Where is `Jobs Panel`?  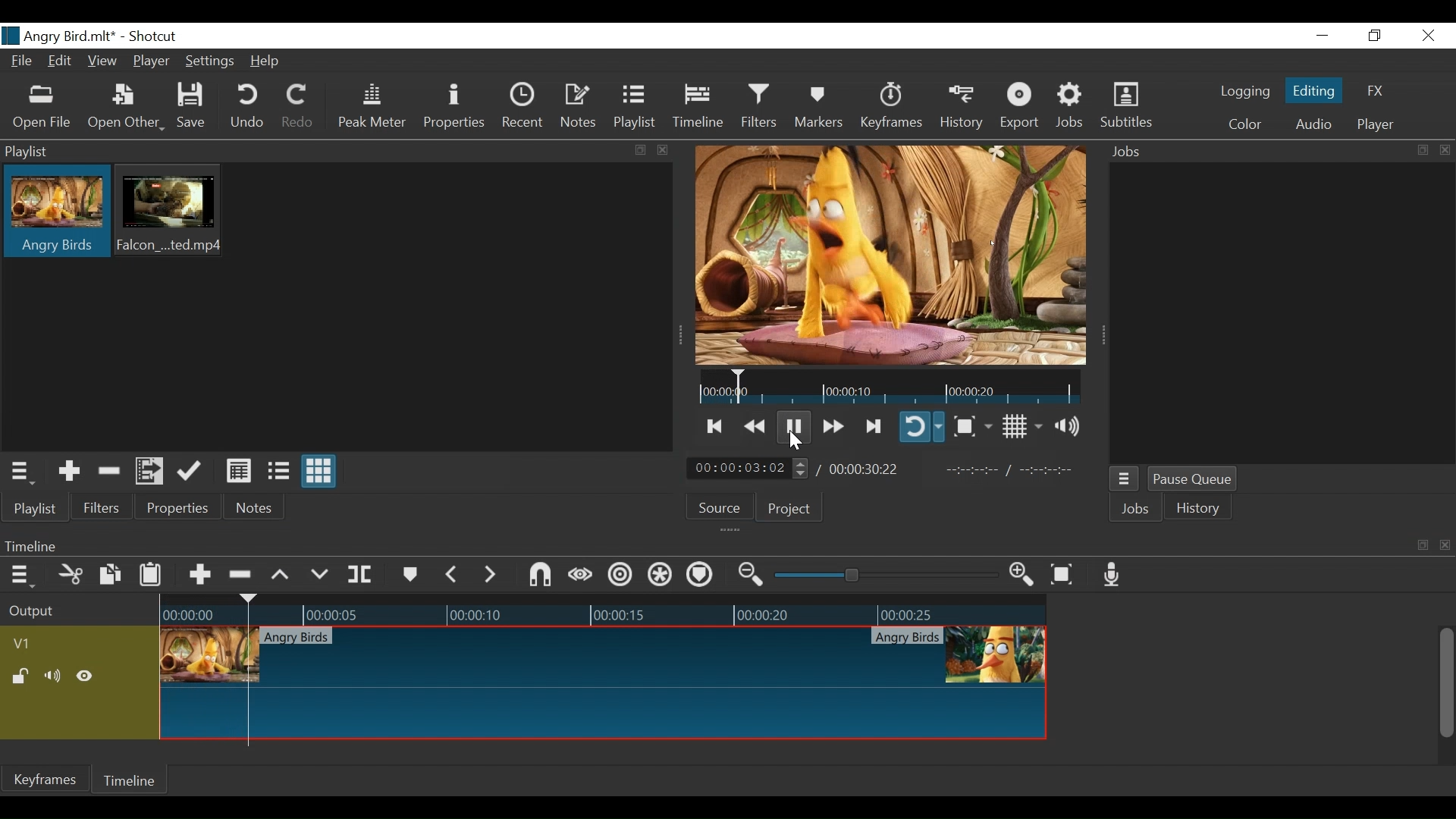
Jobs Panel is located at coordinates (1281, 313).